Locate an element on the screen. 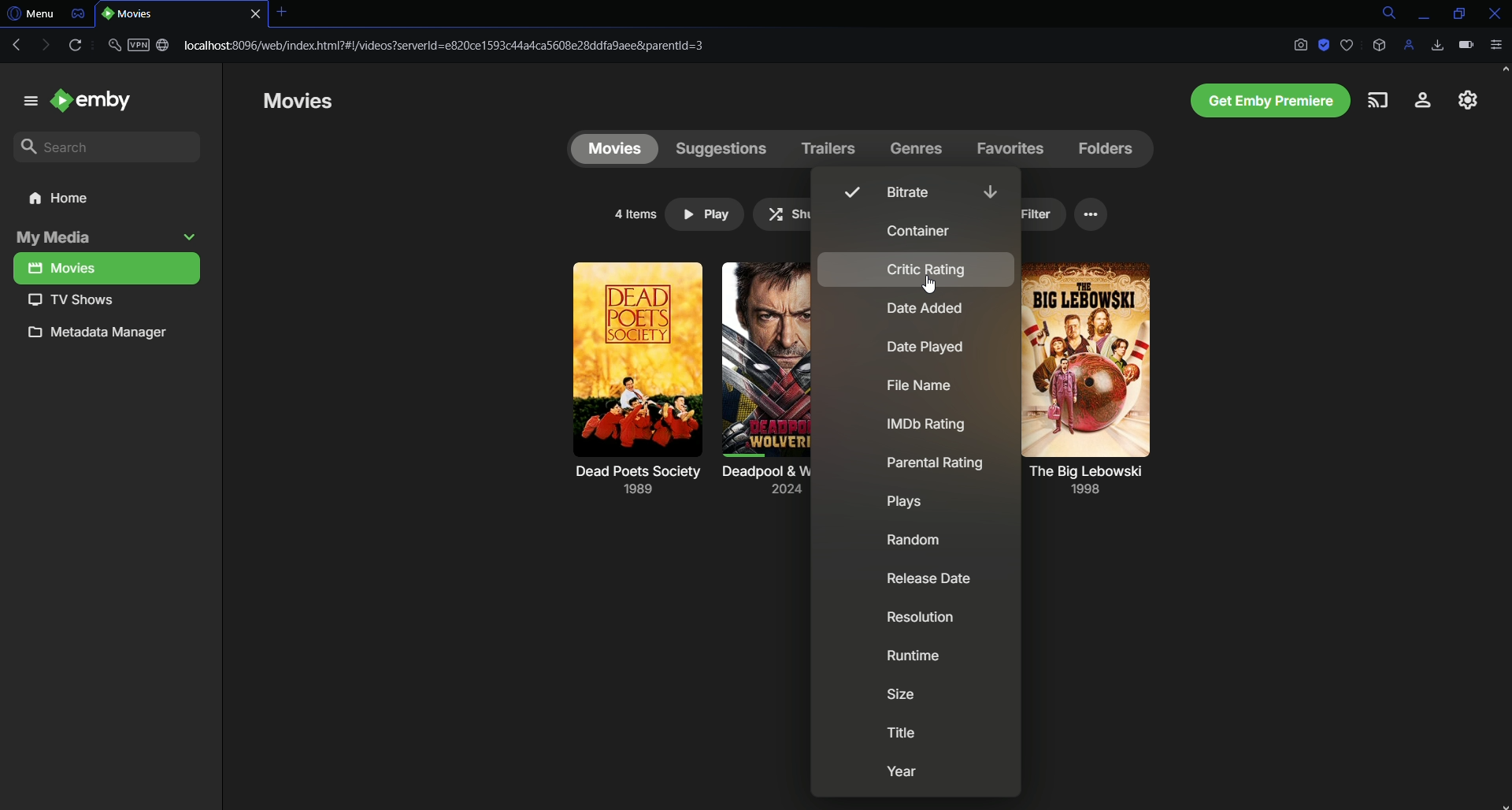 Image resolution: width=1512 pixels, height=810 pixels. 4 items is located at coordinates (636, 214).